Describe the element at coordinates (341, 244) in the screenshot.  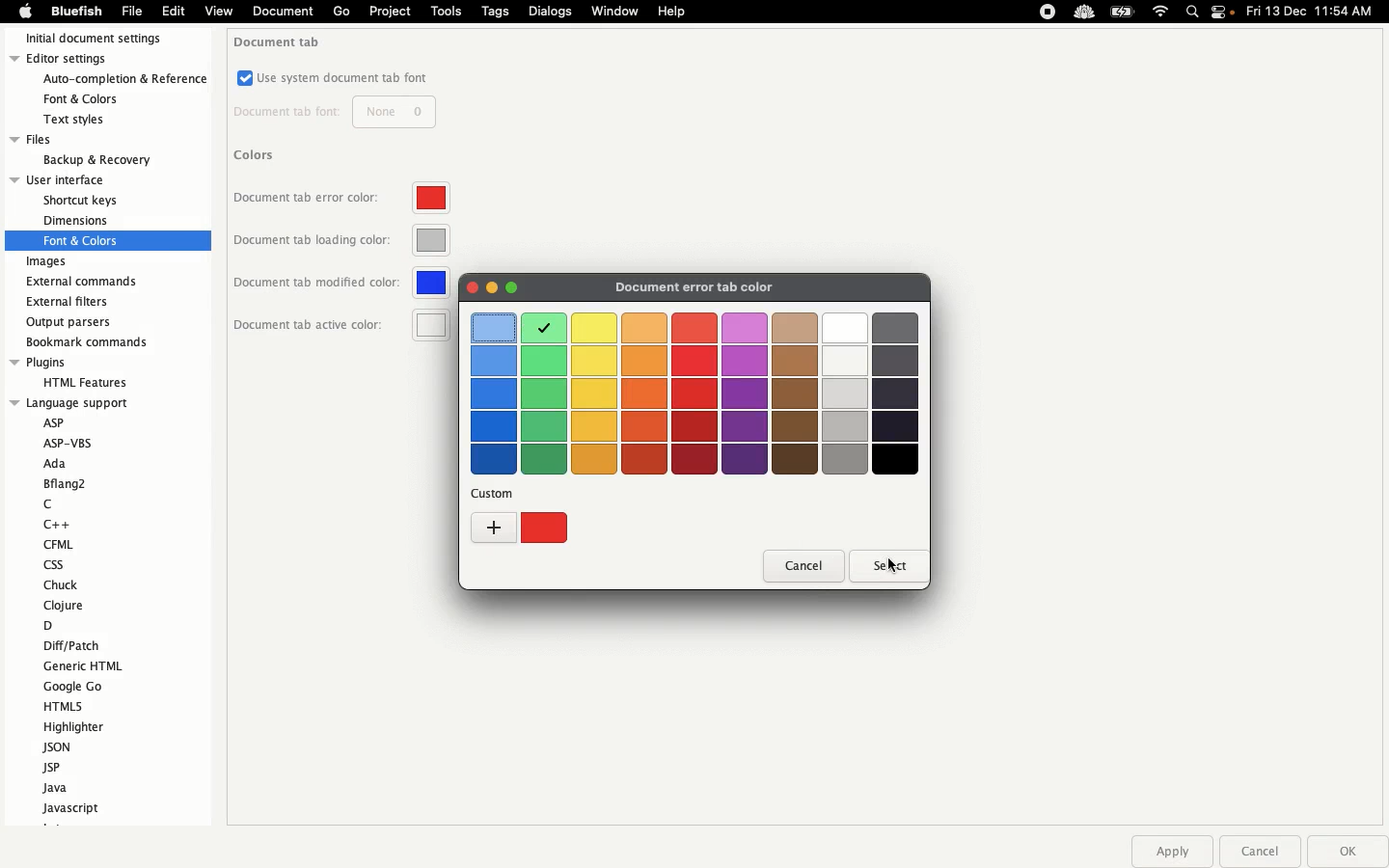
I see `Document tab loading color` at that location.